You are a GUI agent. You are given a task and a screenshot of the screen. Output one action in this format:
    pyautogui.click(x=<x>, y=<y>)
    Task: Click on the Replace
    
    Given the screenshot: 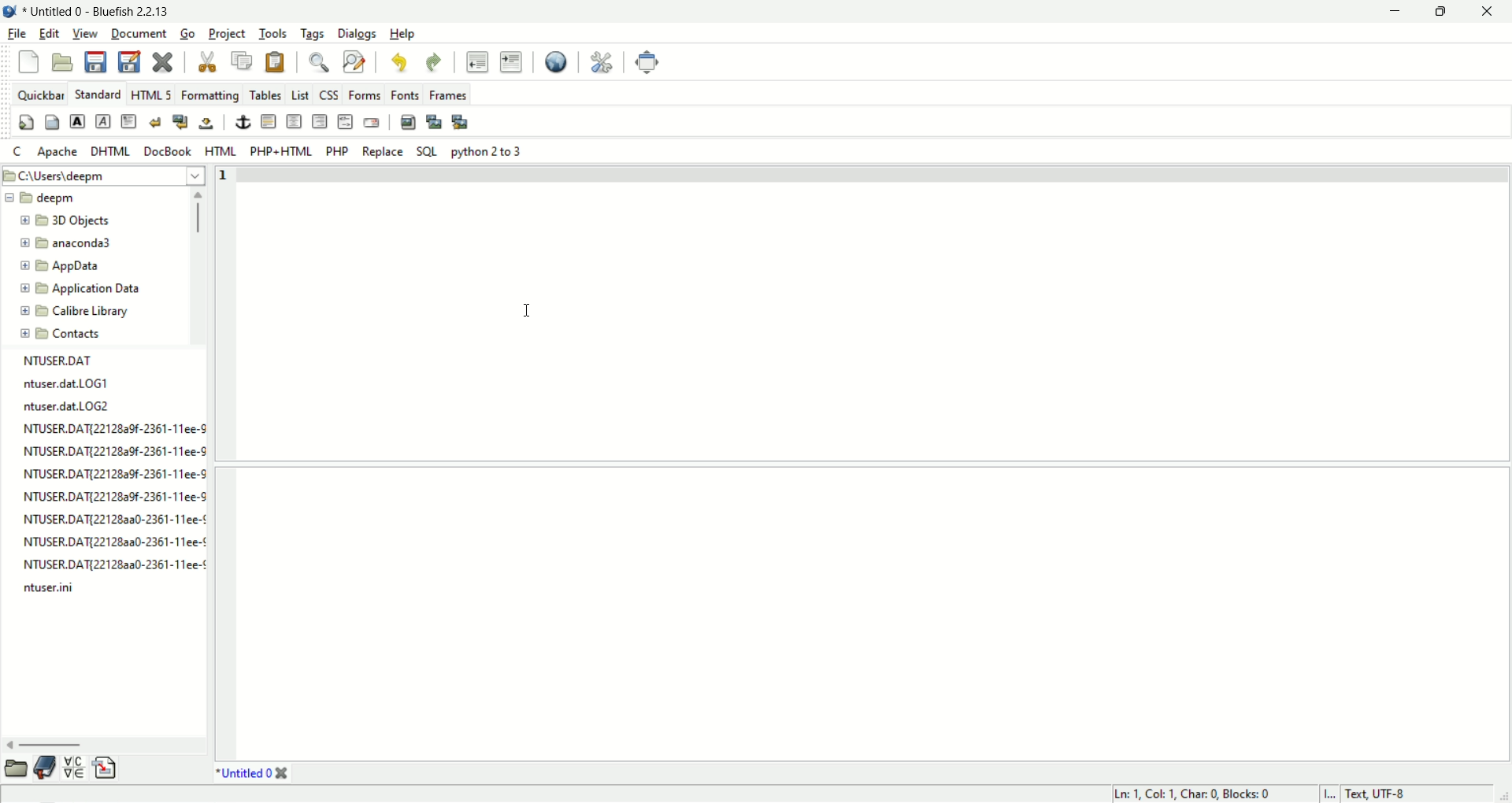 What is the action you would take?
    pyautogui.click(x=382, y=150)
    